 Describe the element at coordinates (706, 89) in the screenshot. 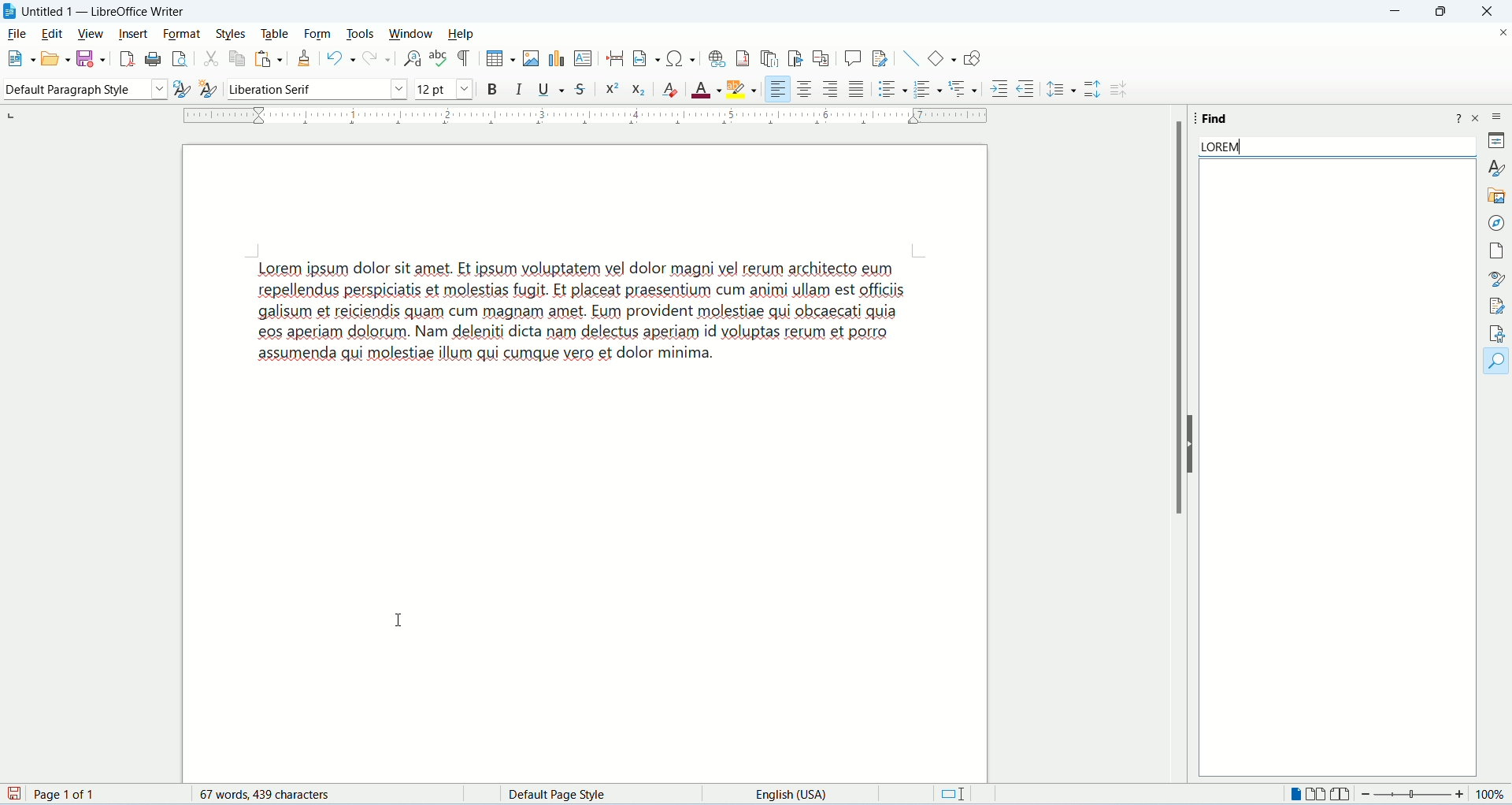

I see `font color` at that location.